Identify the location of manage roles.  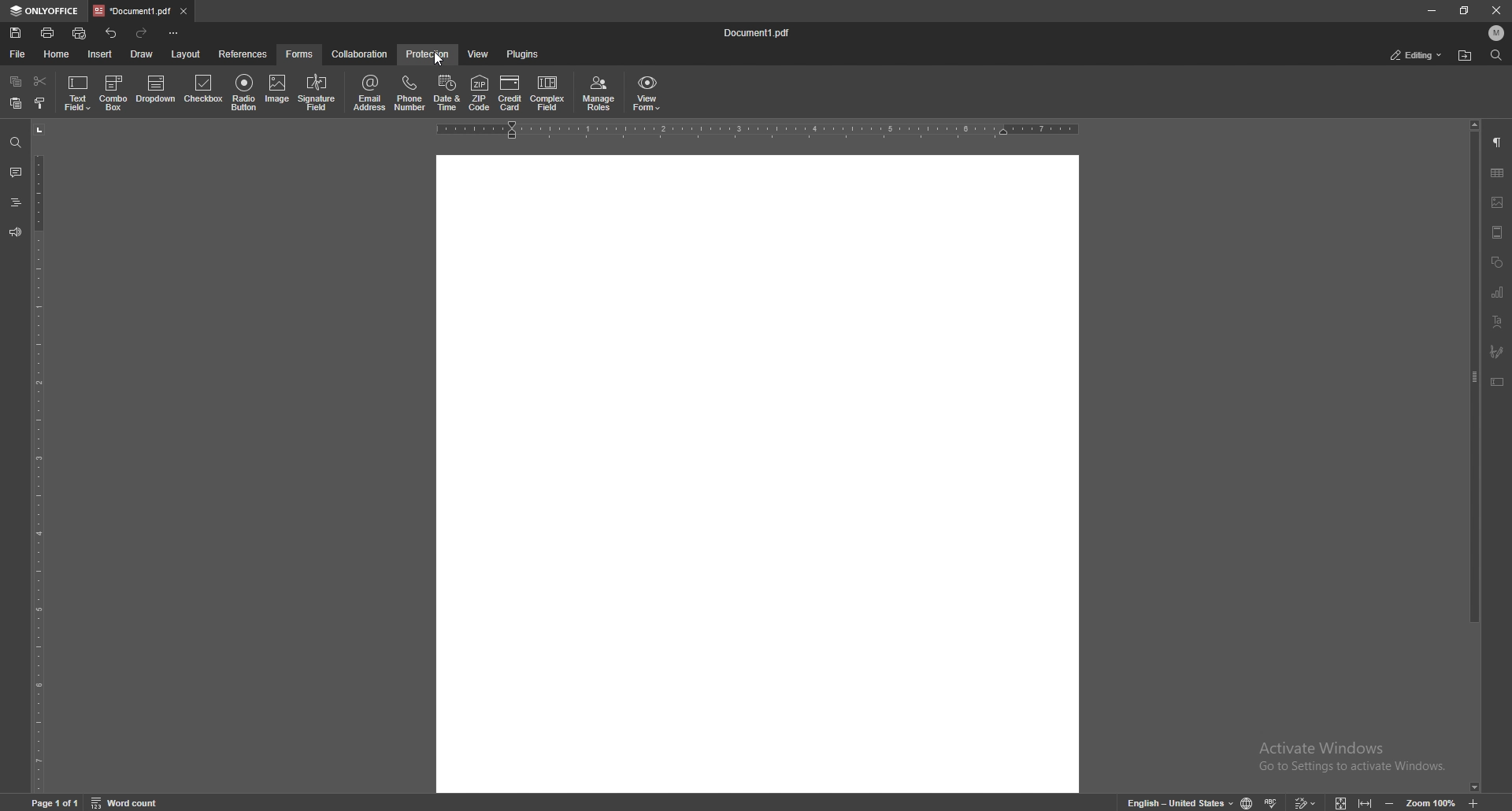
(598, 94).